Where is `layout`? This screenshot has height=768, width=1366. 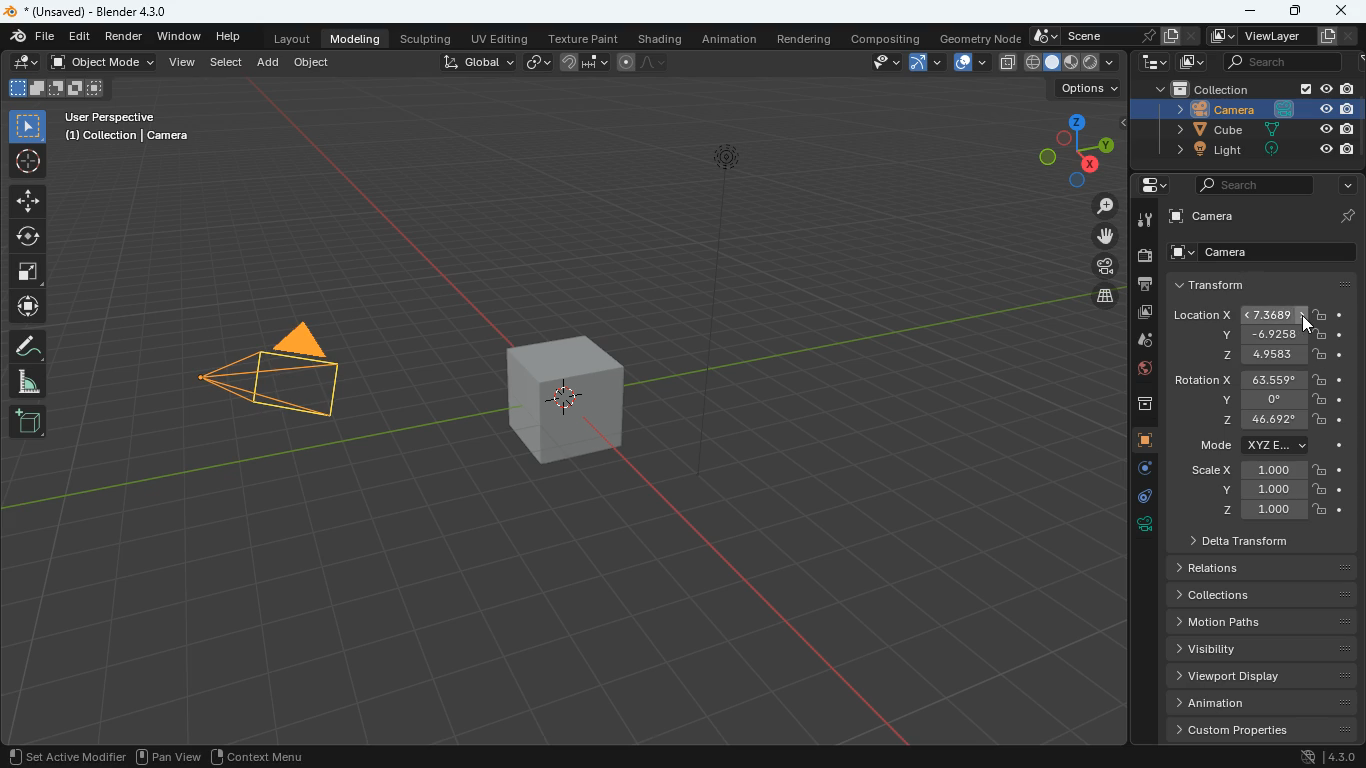 layout is located at coordinates (971, 62).